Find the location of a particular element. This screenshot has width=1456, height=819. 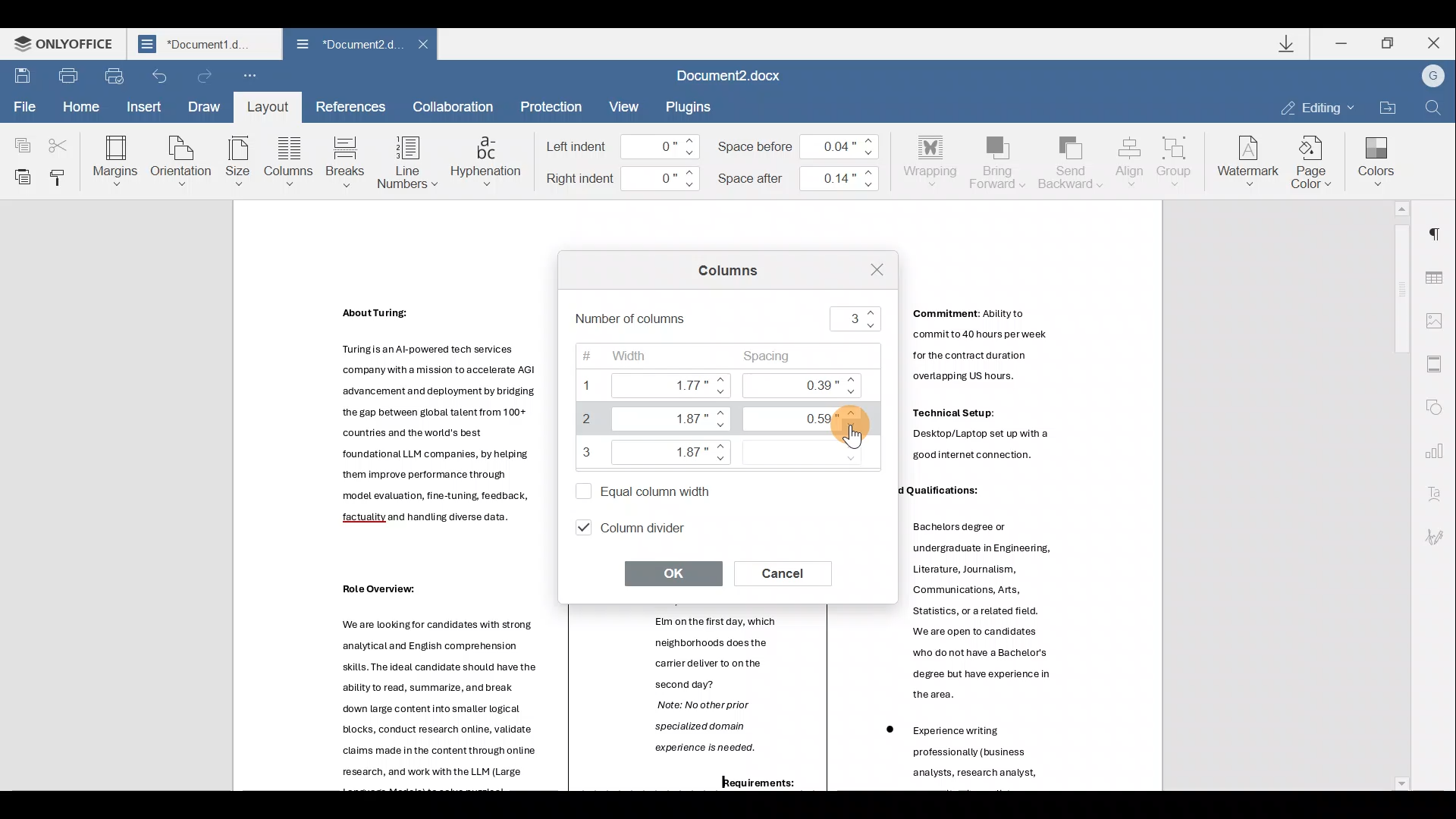

Colors is located at coordinates (1376, 157).